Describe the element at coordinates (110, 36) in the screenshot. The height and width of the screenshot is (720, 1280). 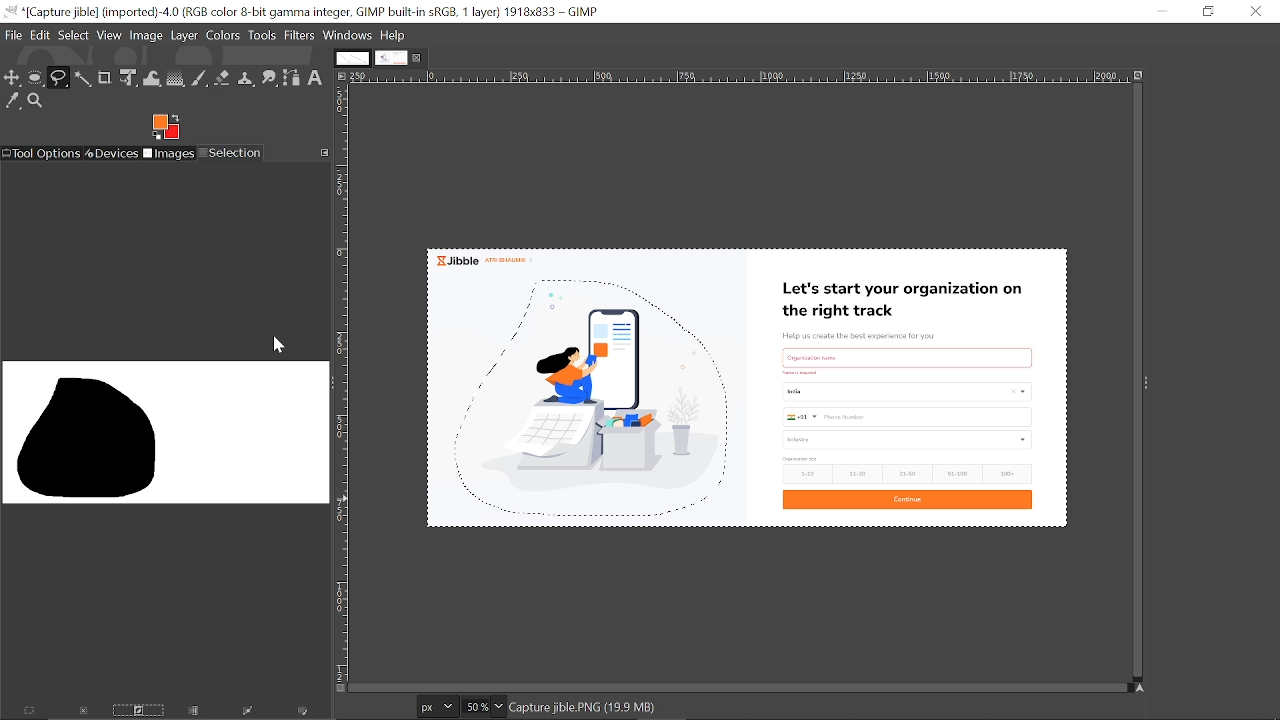
I see `View` at that location.